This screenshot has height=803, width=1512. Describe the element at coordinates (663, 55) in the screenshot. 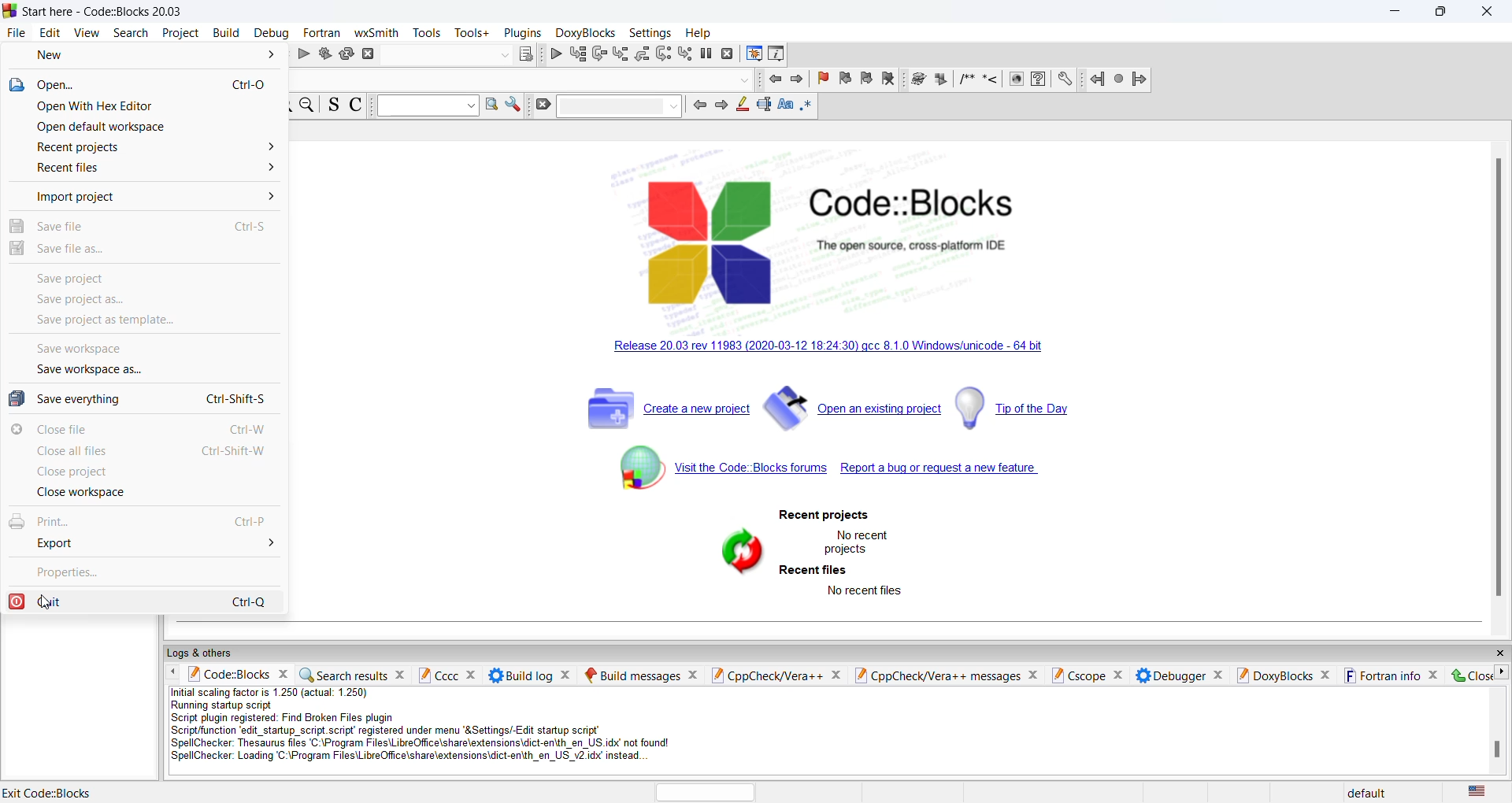

I see `next instruction` at that location.